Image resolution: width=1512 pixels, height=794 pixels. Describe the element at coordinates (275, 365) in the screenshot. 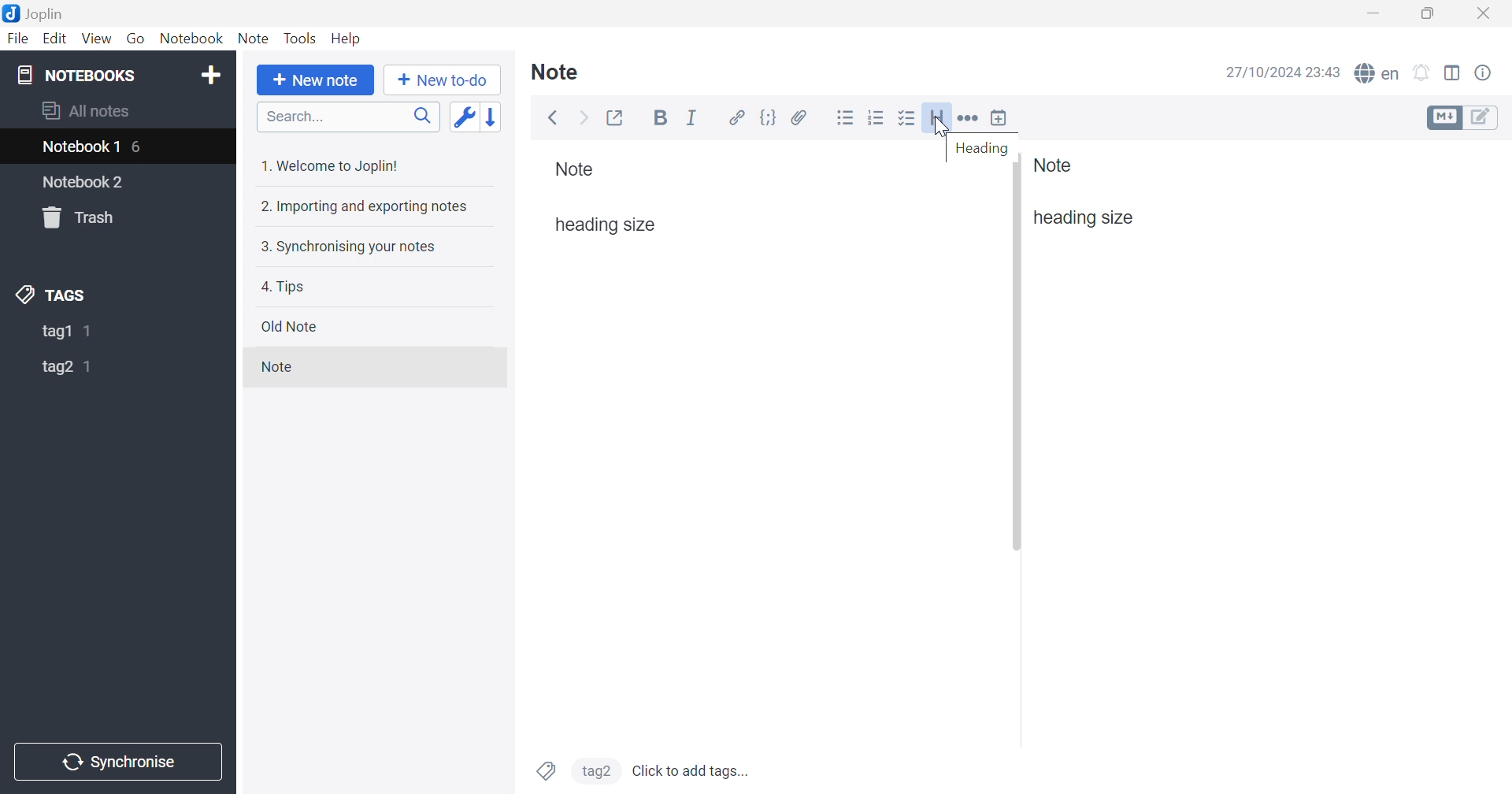

I see `Note` at that location.